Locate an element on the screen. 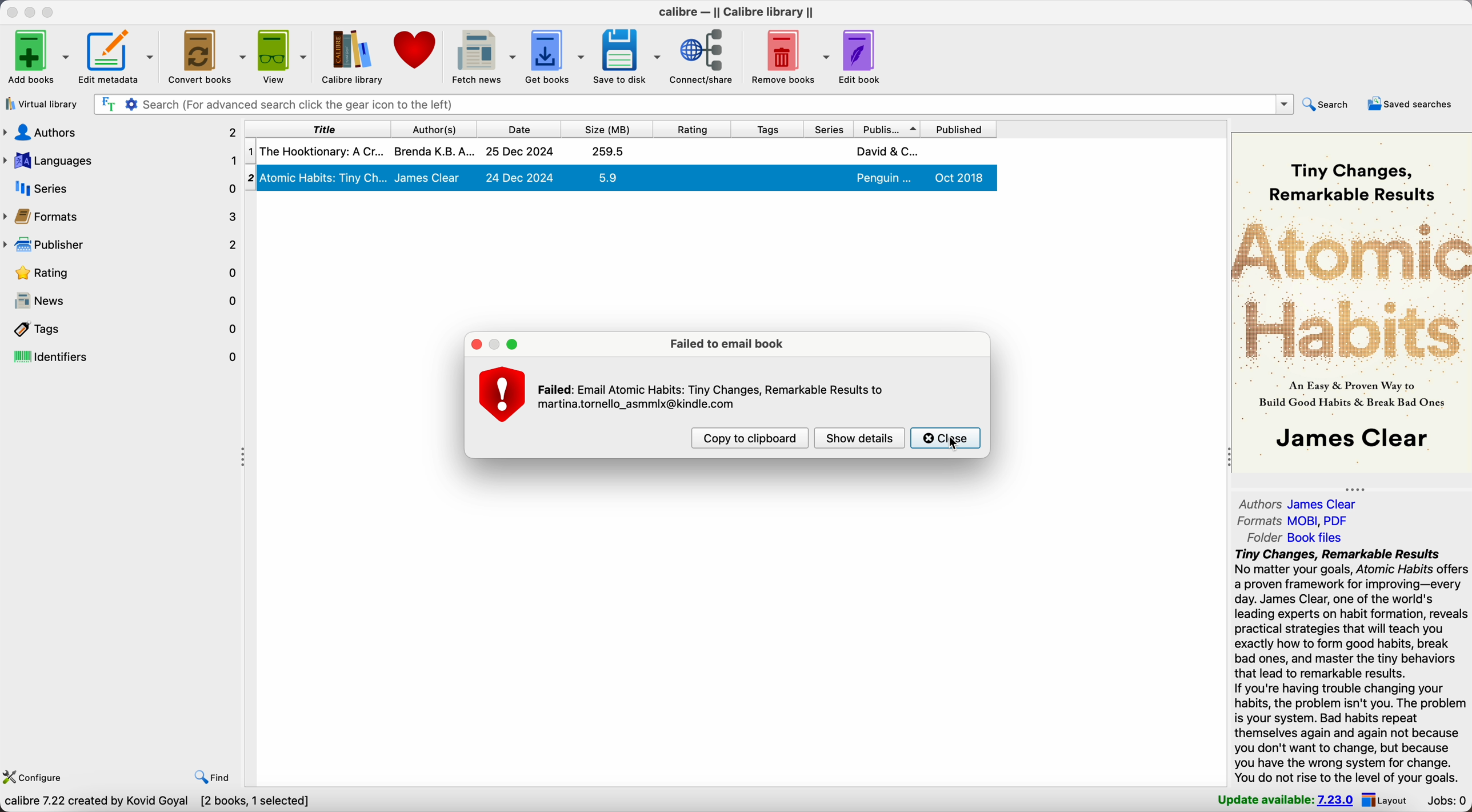 The height and width of the screenshot is (812, 1472). formats is located at coordinates (1297, 520).